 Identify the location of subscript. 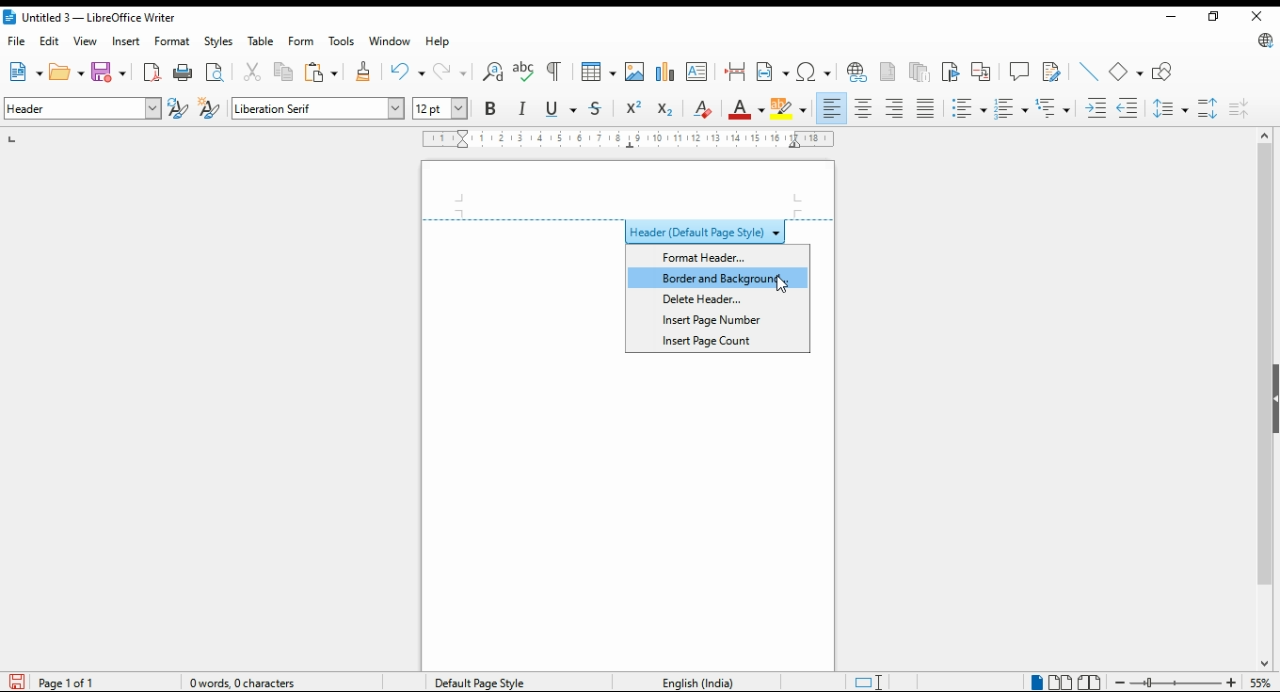
(665, 110).